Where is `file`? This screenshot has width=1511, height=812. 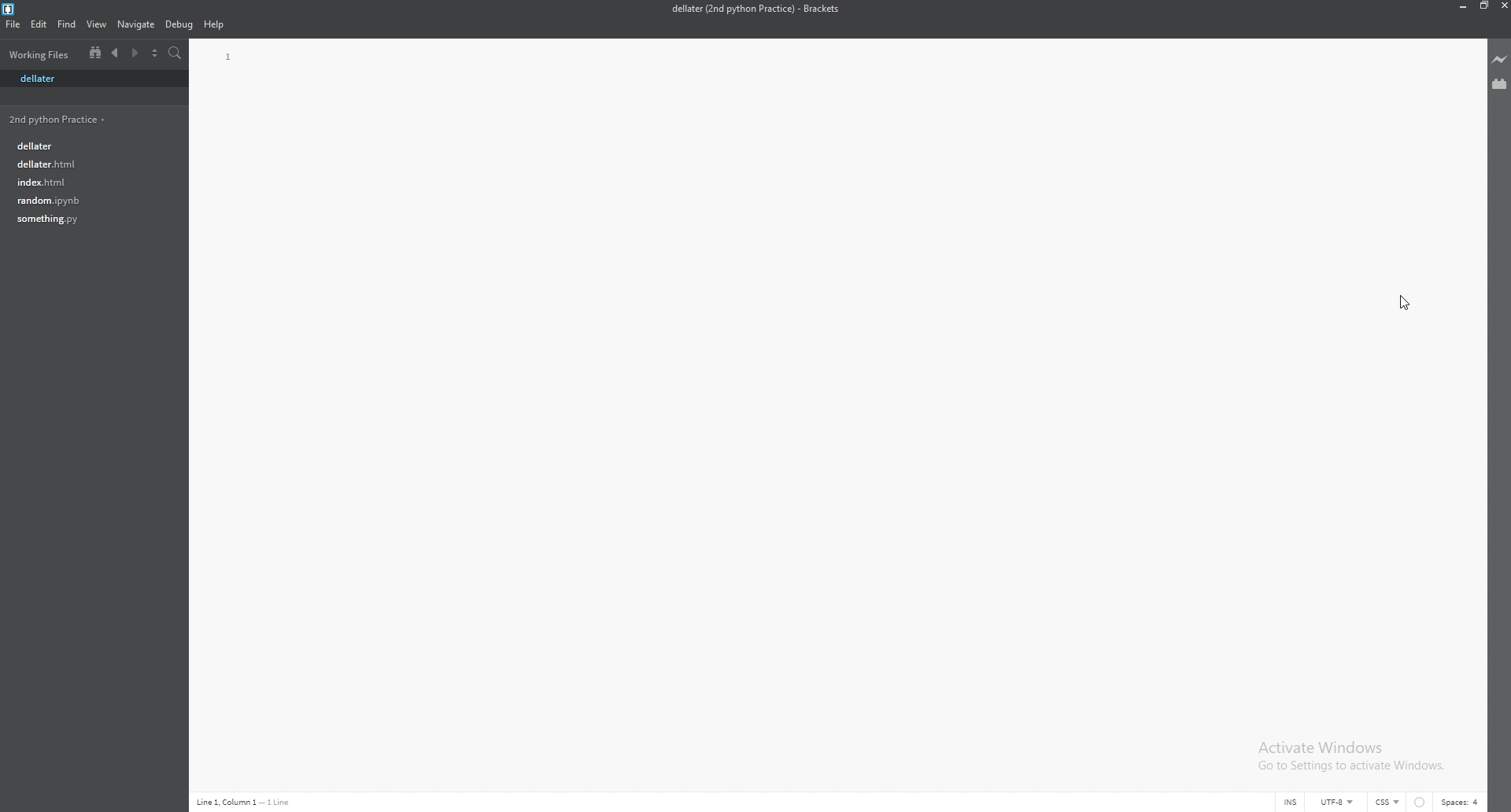 file is located at coordinates (86, 200).